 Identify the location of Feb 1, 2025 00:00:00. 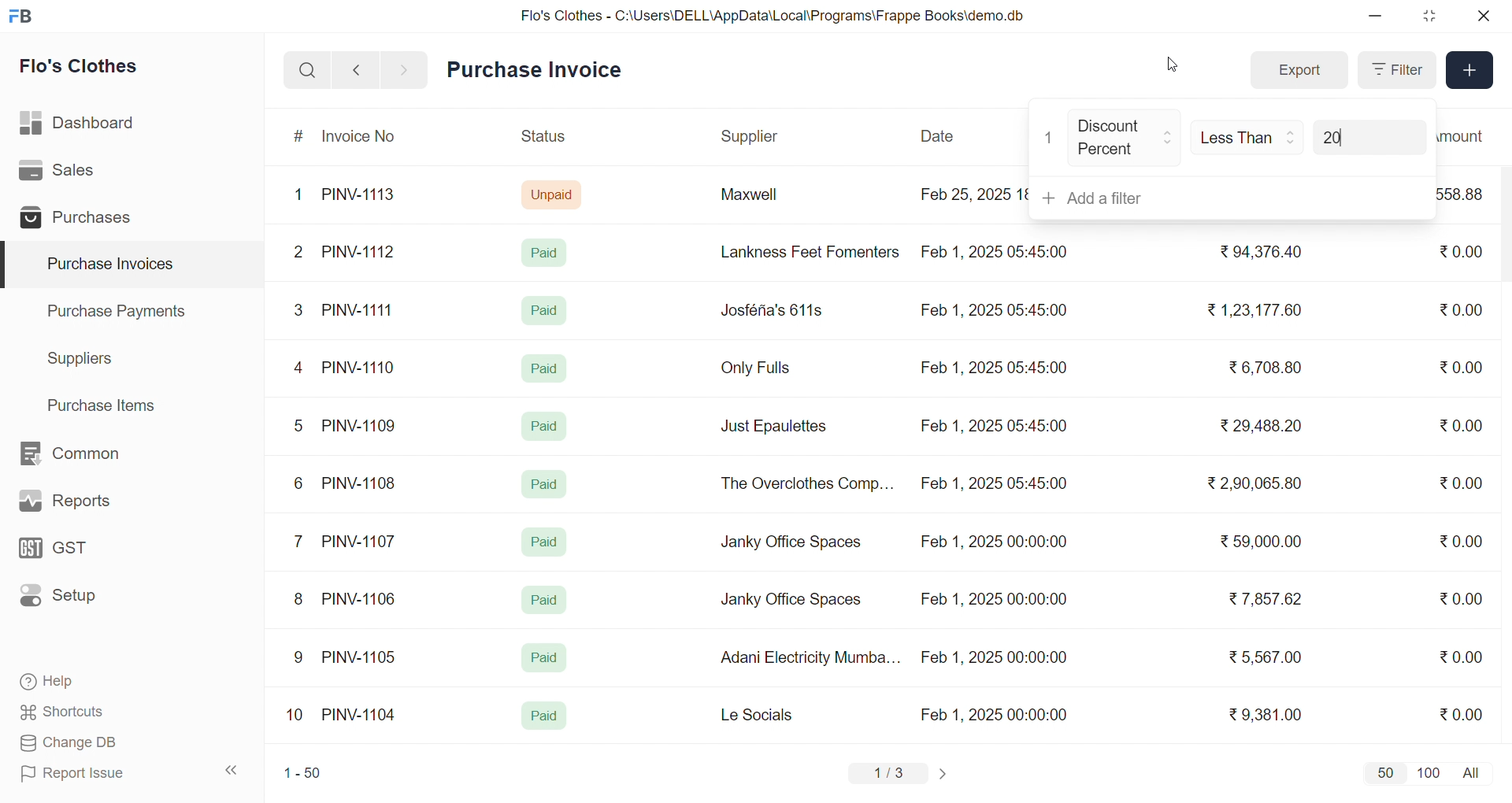
(993, 544).